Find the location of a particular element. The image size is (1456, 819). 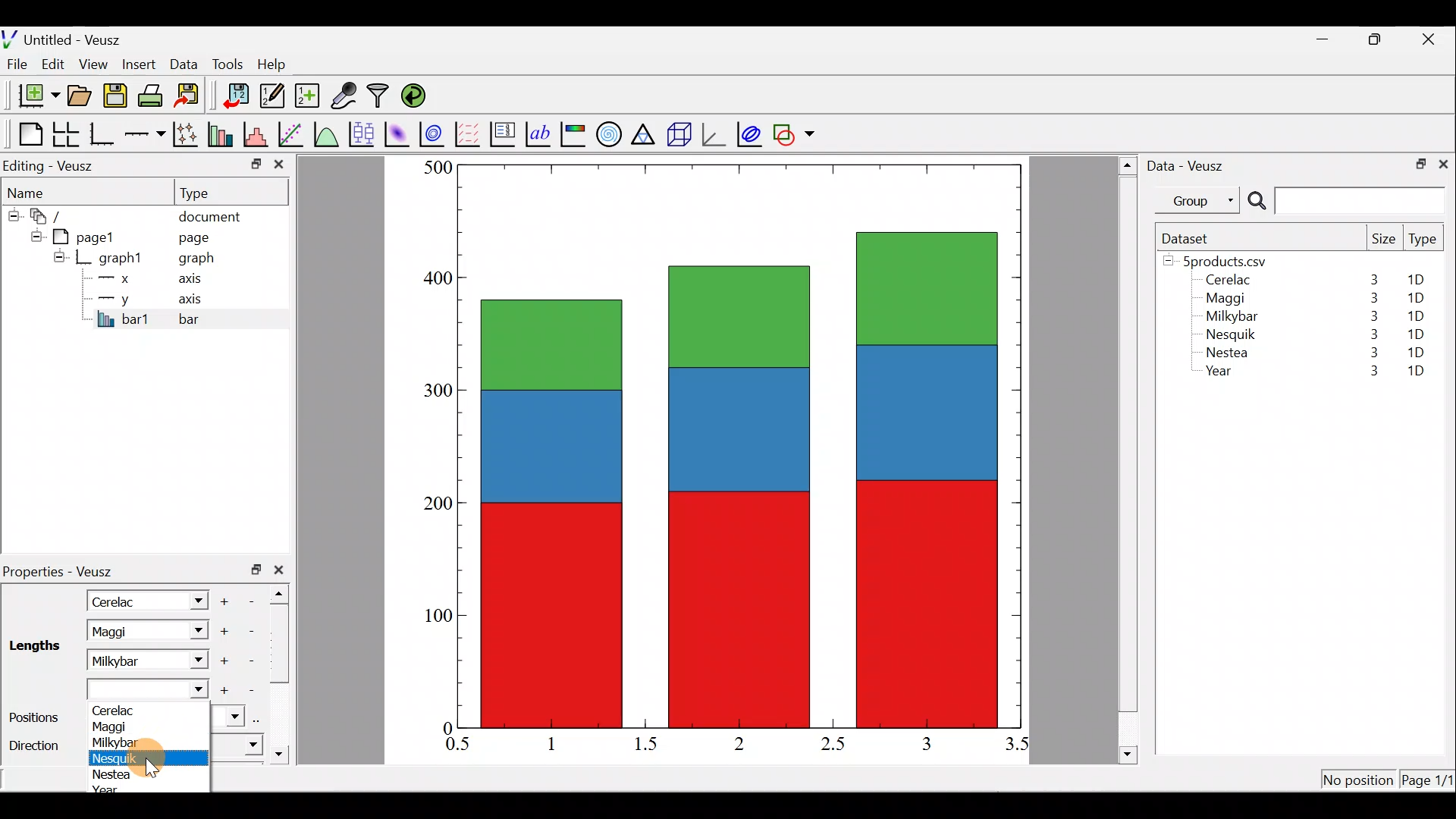

3 is located at coordinates (1371, 316).